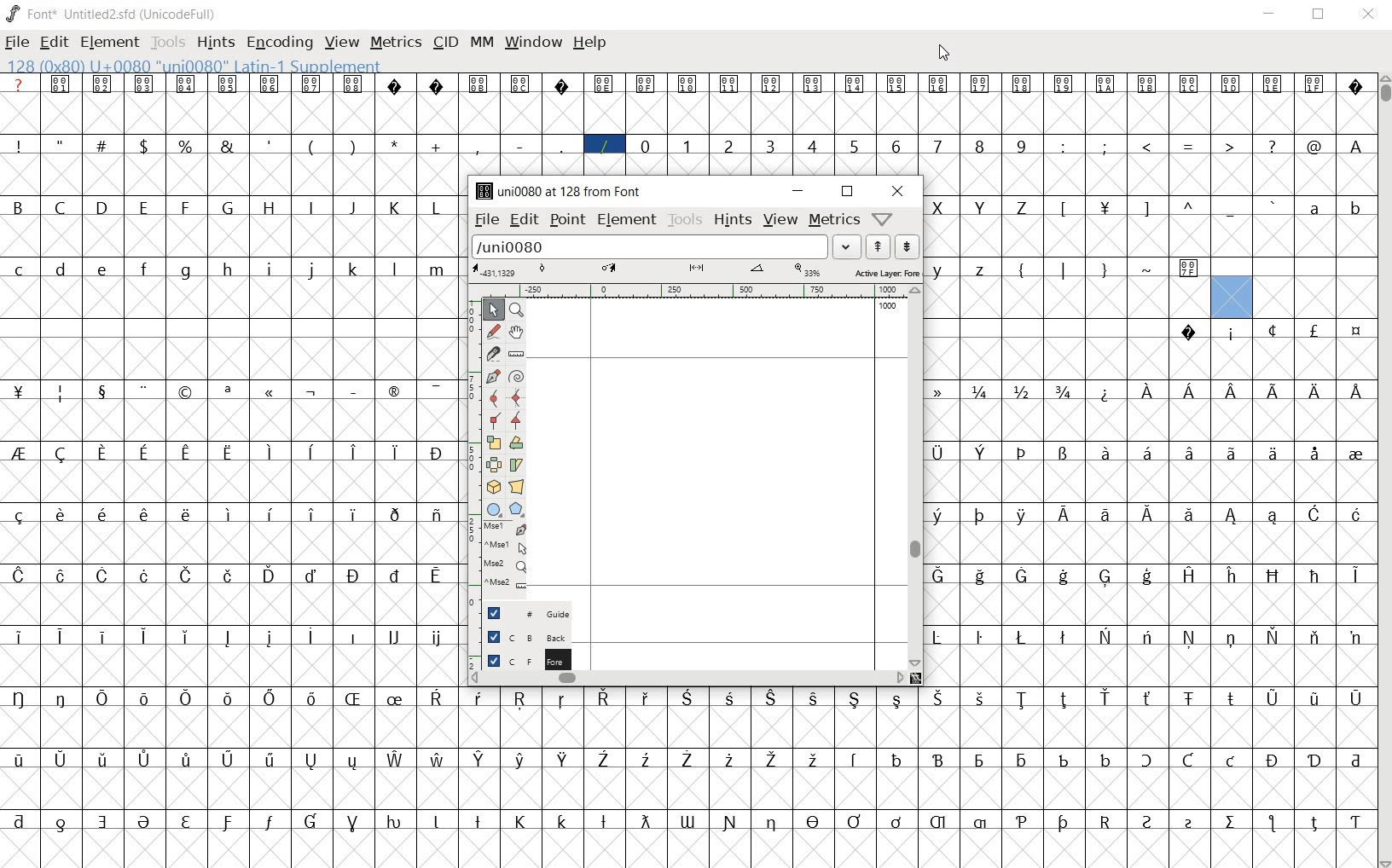 The height and width of the screenshot is (868, 1392). I want to click on glyph, so click(562, 86).